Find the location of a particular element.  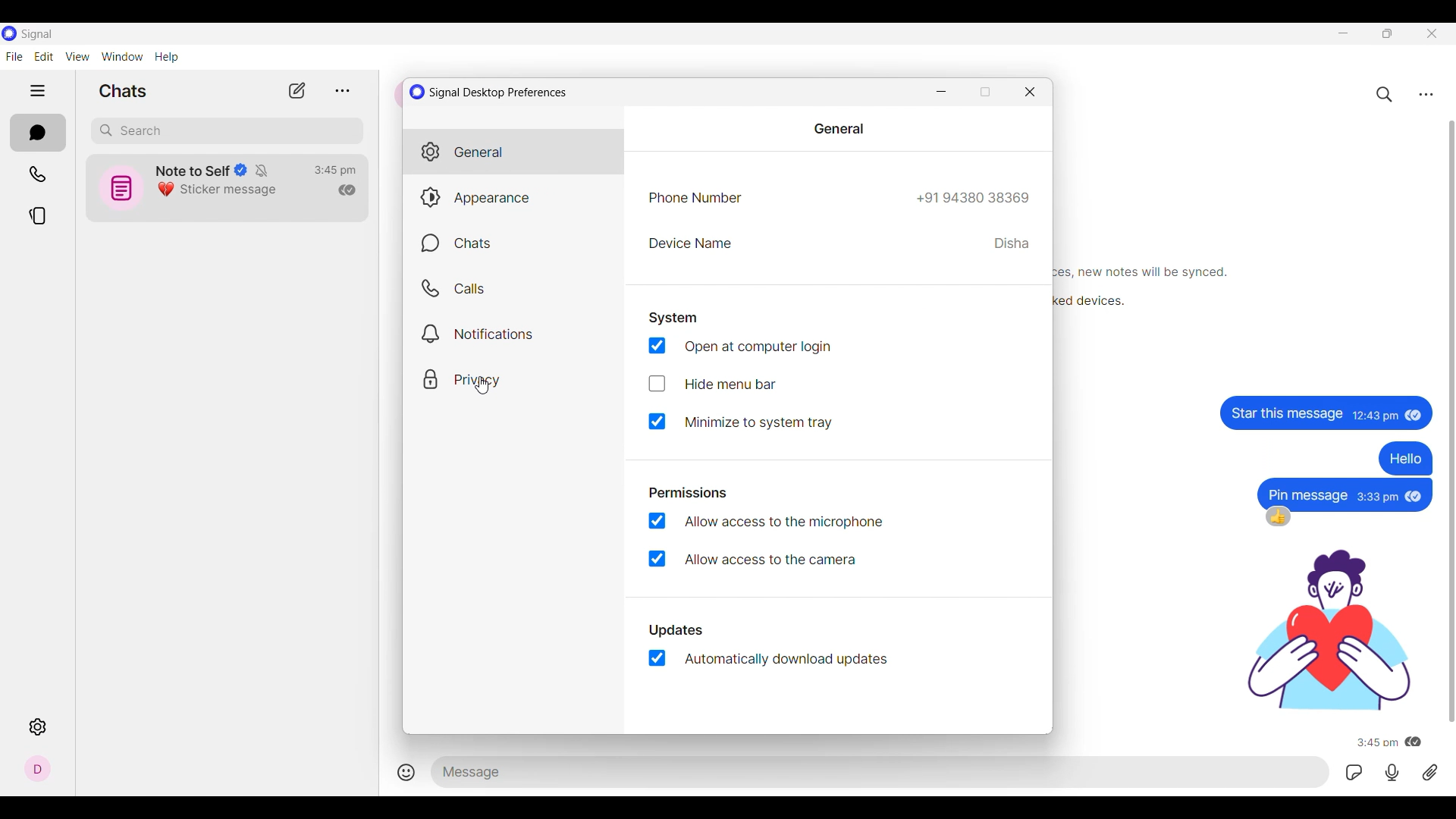

Calls settings is located at coordinates (514, 288).